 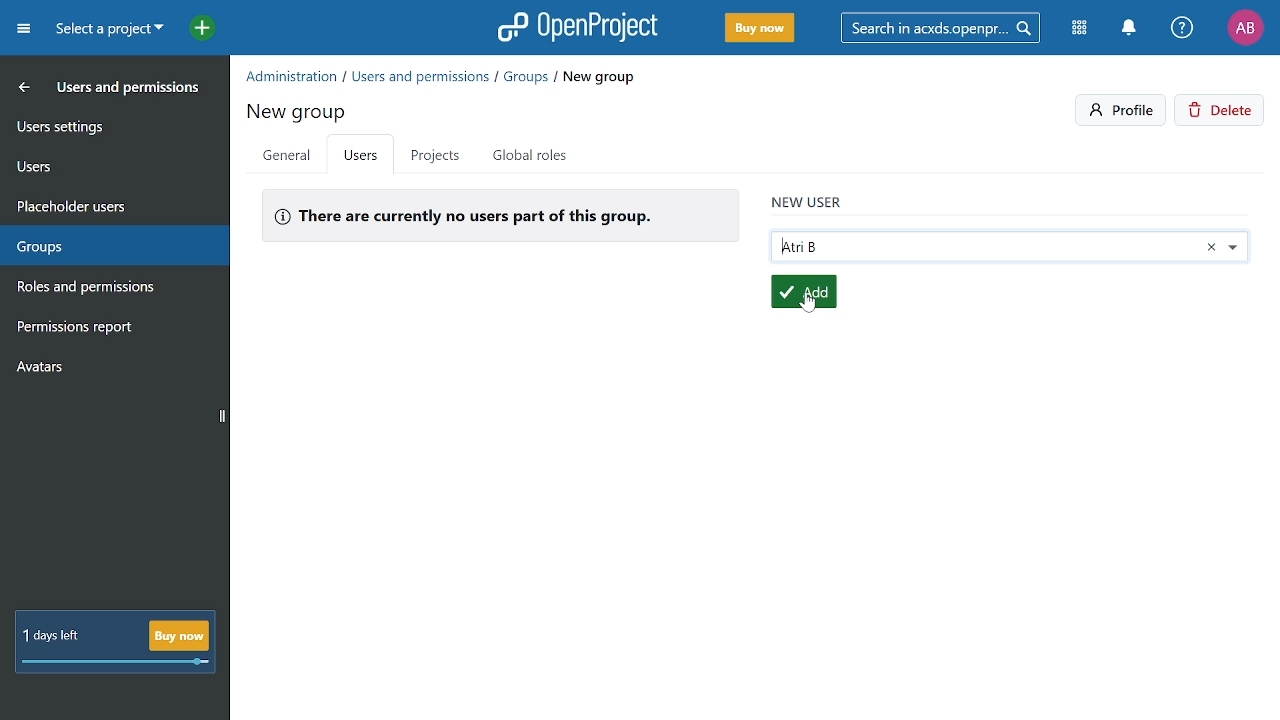 What do you see at coordinates (103, 289) in the screenshot?
I see `Roles and permissions` at bounding box center [103, 289].